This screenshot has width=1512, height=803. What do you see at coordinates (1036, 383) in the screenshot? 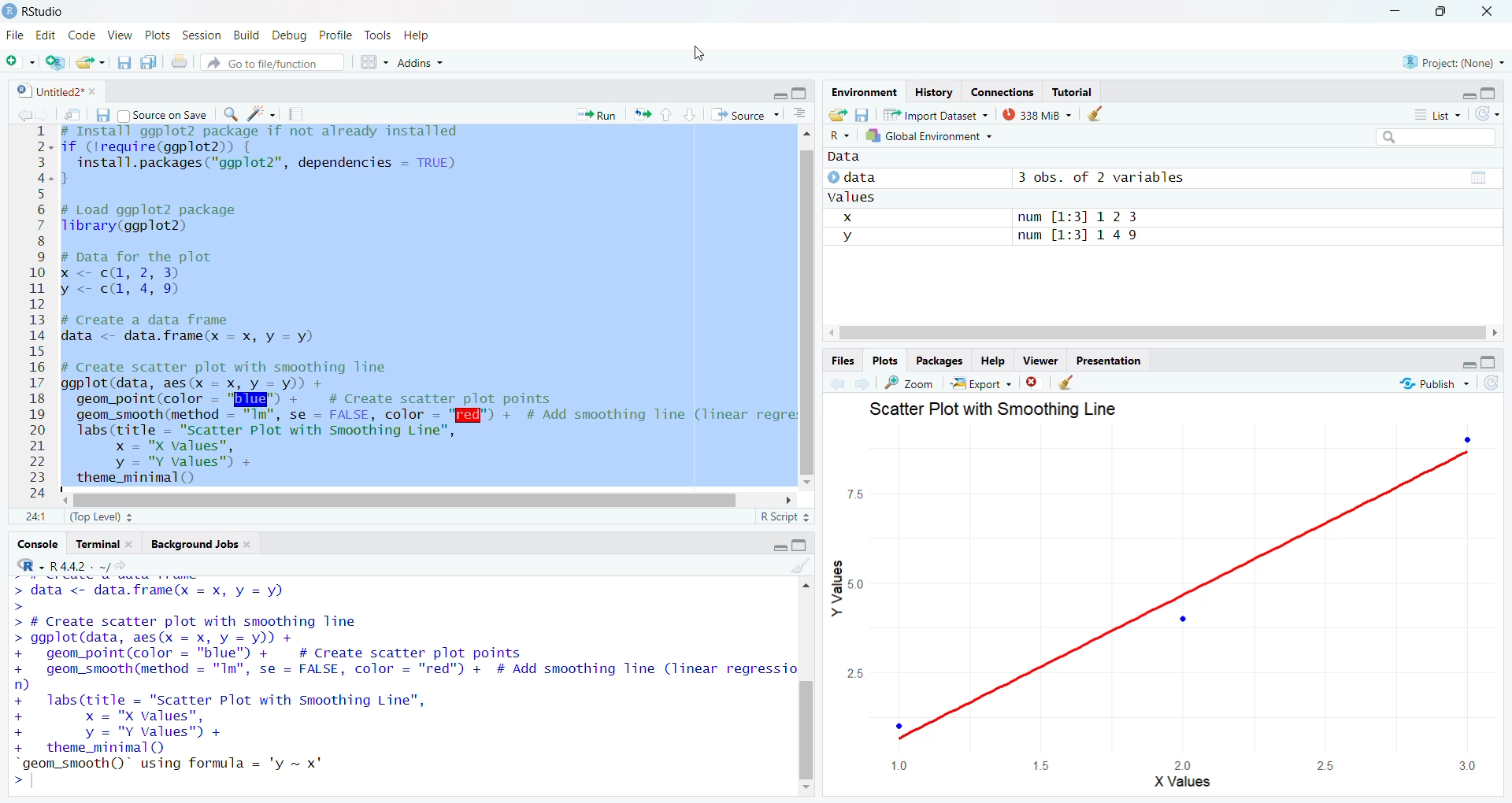
I see `clear current plot` at bounding box center [1036, 383].